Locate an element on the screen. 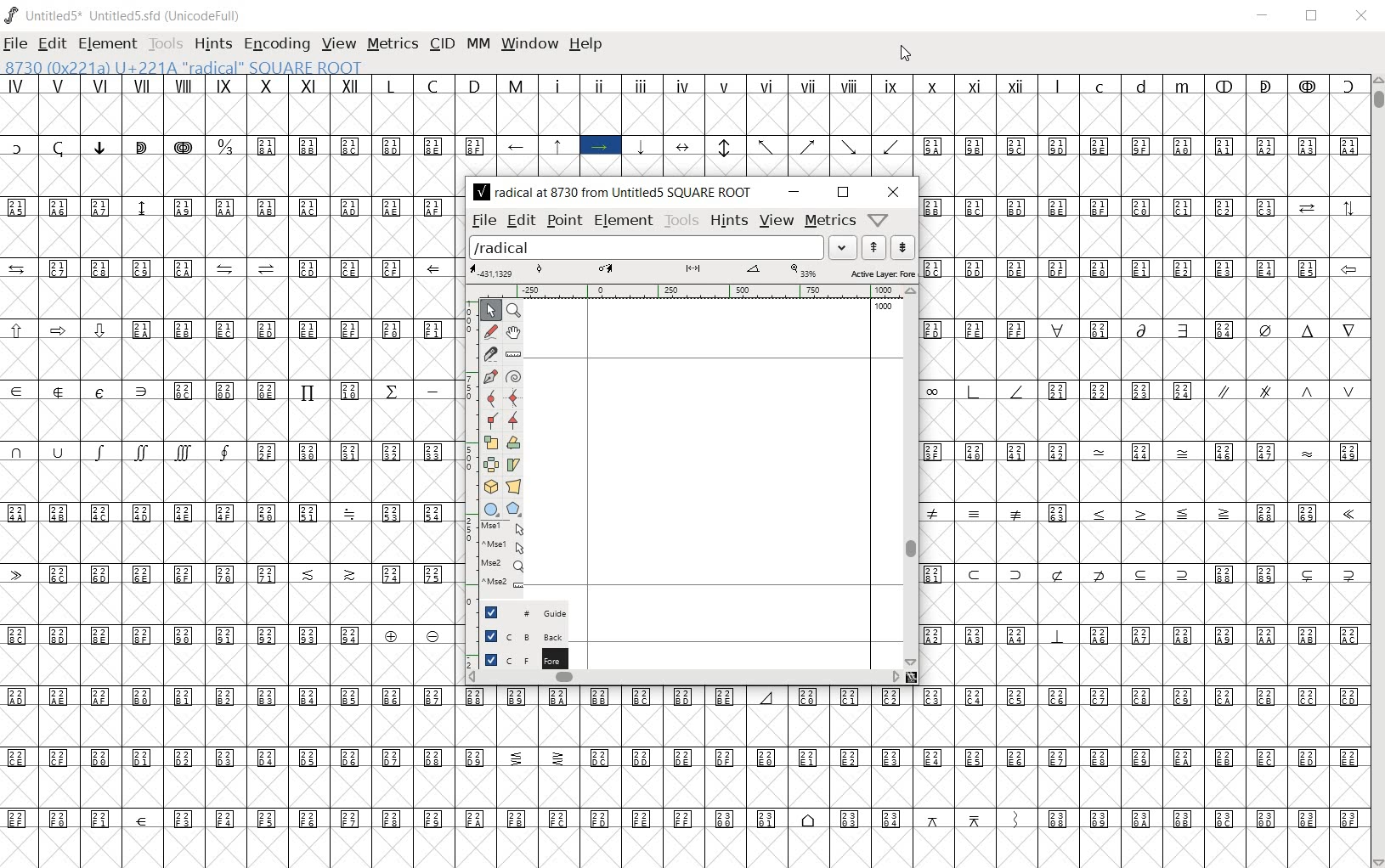 The image size is (1385, 868). MINIMIZE is located at coordinates (1263, 16).